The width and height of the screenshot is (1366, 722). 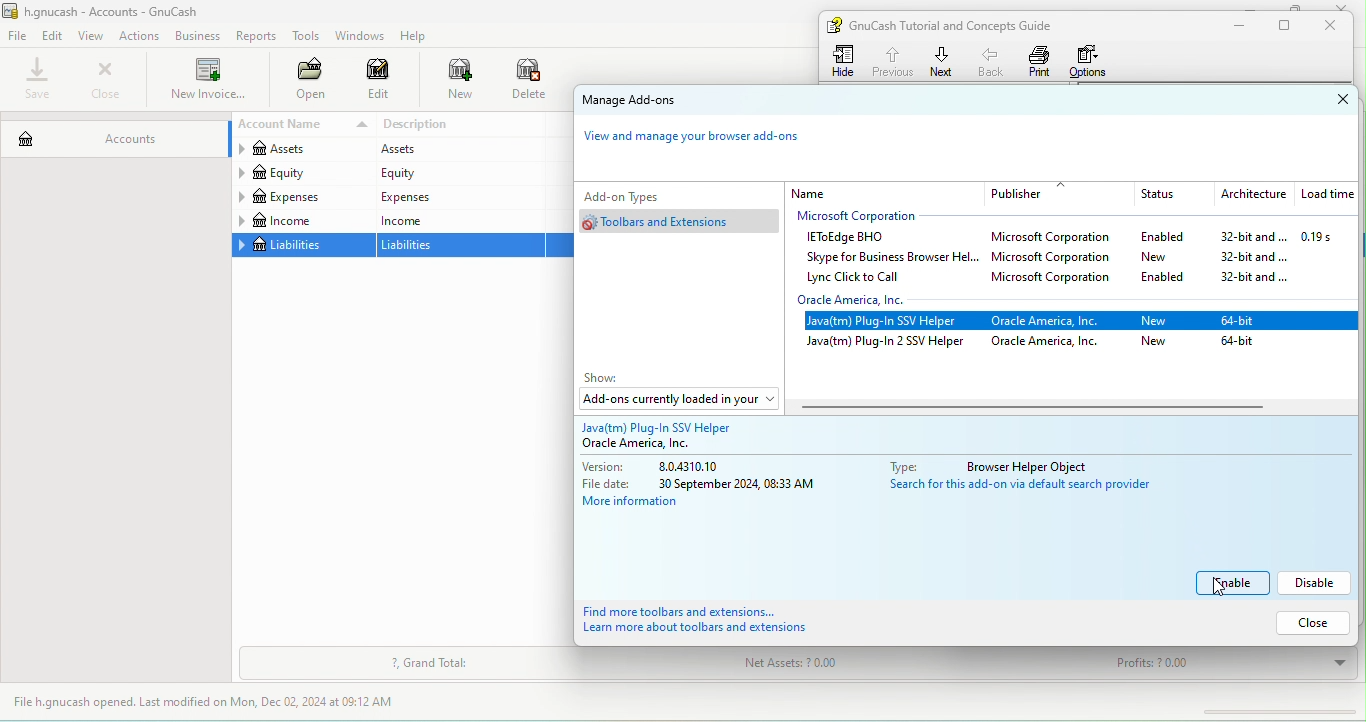 What do you see at coordinates (1058, 280) in the screenshot?
I see `microsoft corporation` at bounding box center [1058, 280].